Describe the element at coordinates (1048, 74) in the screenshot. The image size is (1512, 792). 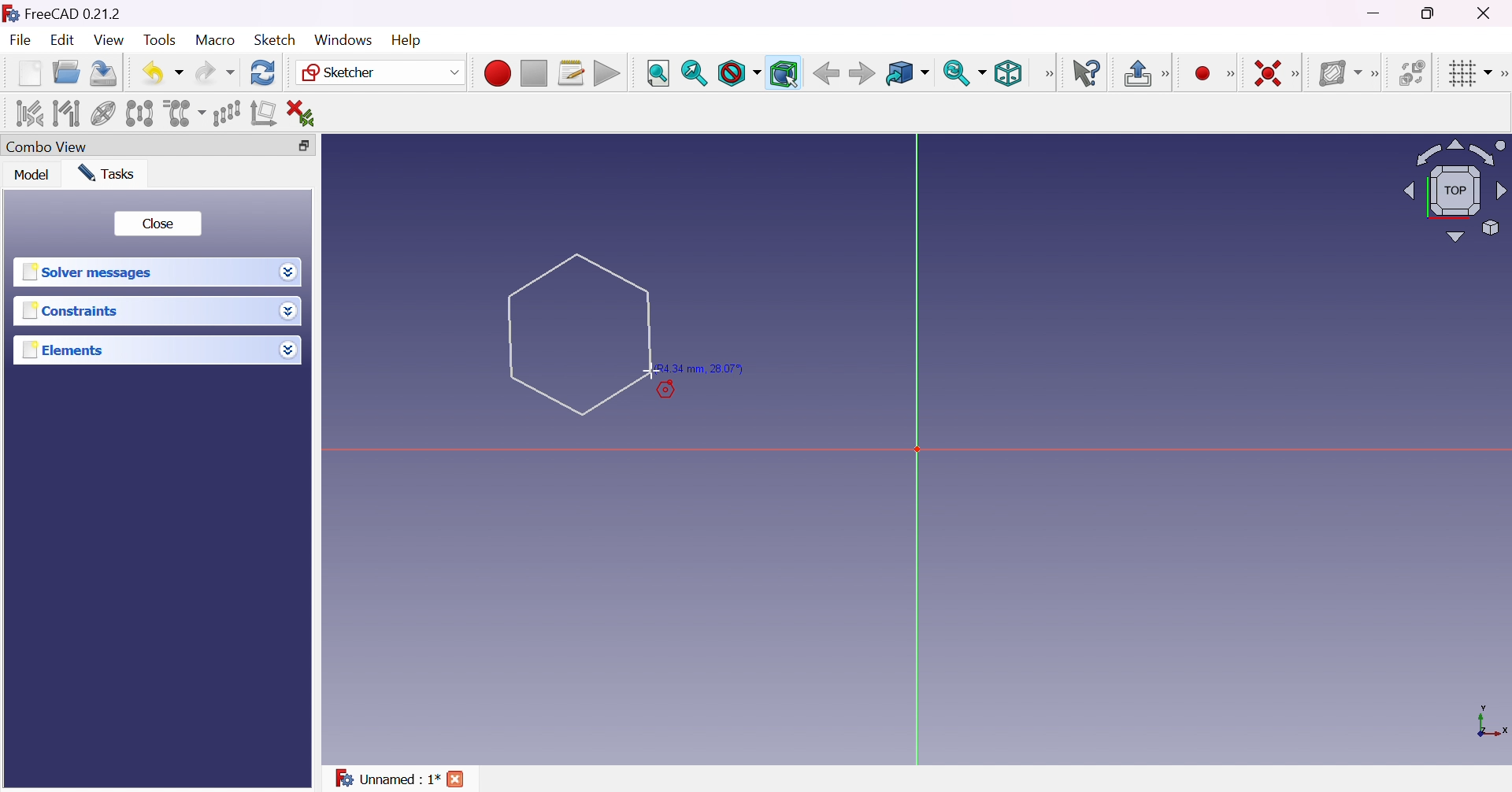
I see `[View]` at that location.